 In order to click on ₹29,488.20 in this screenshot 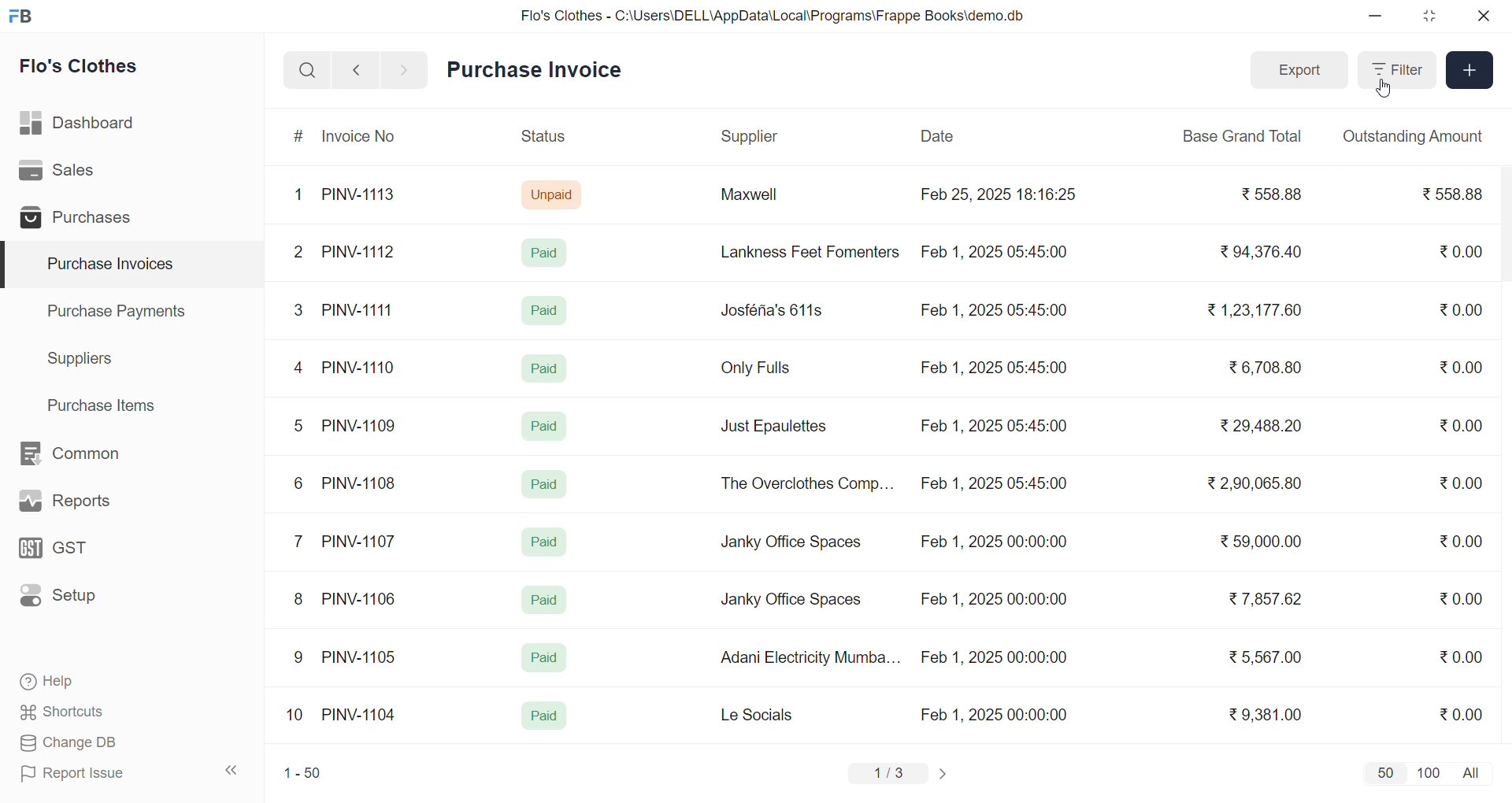, I will do `click(1256, 426)`.